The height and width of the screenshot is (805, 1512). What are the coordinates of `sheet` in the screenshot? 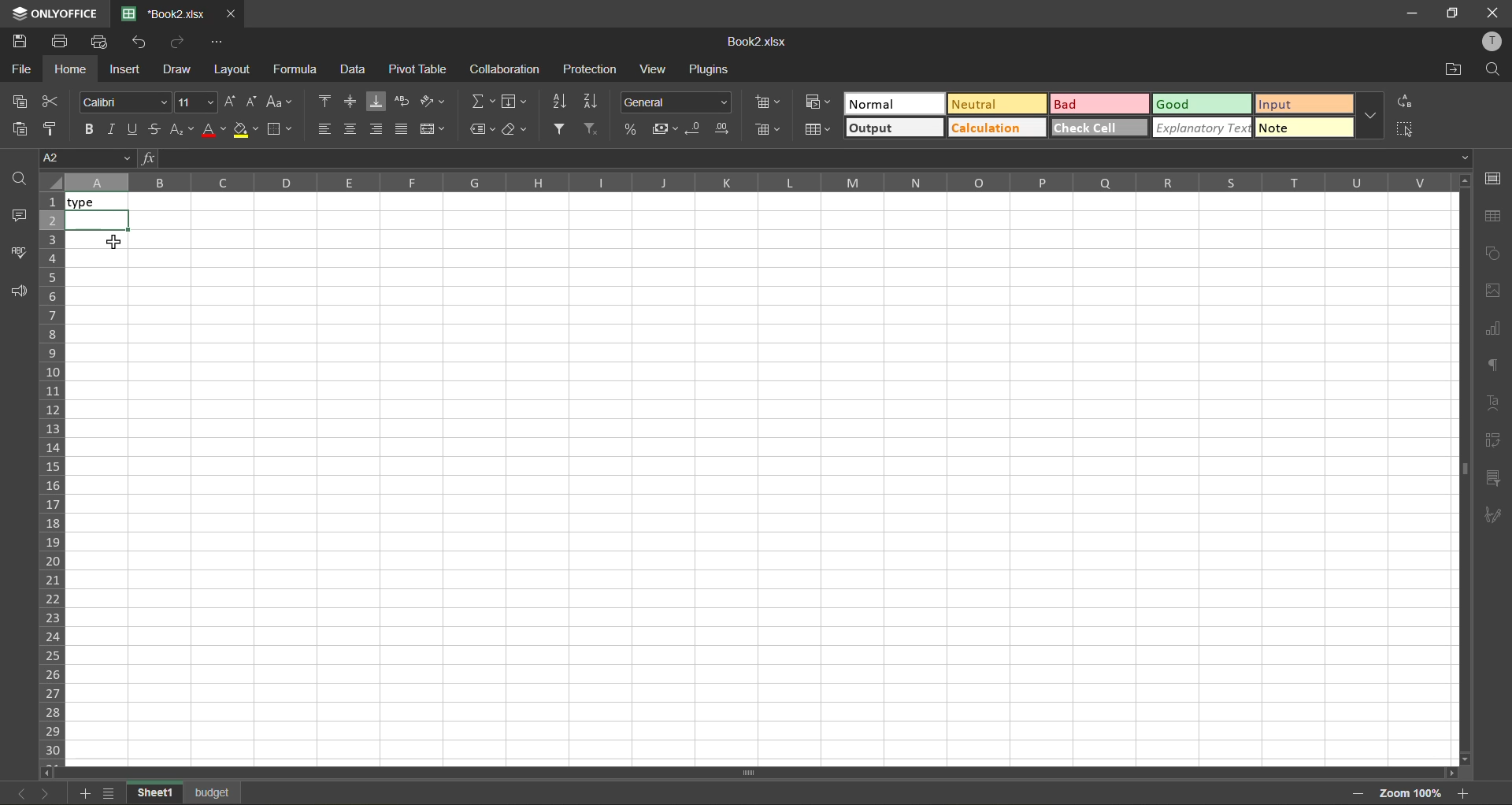 It's located at (213, 792).